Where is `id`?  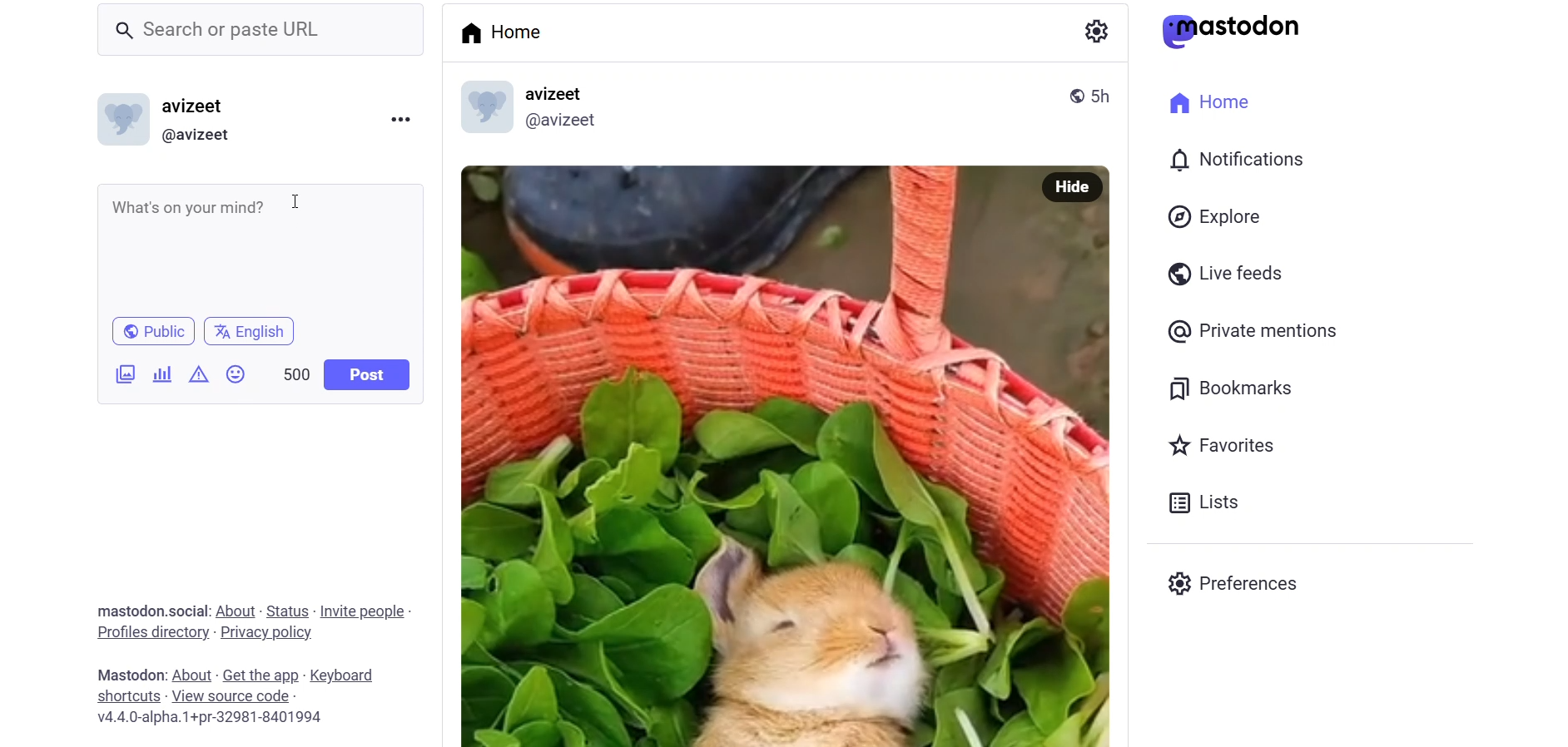
id is located at coordinates (201, 136).